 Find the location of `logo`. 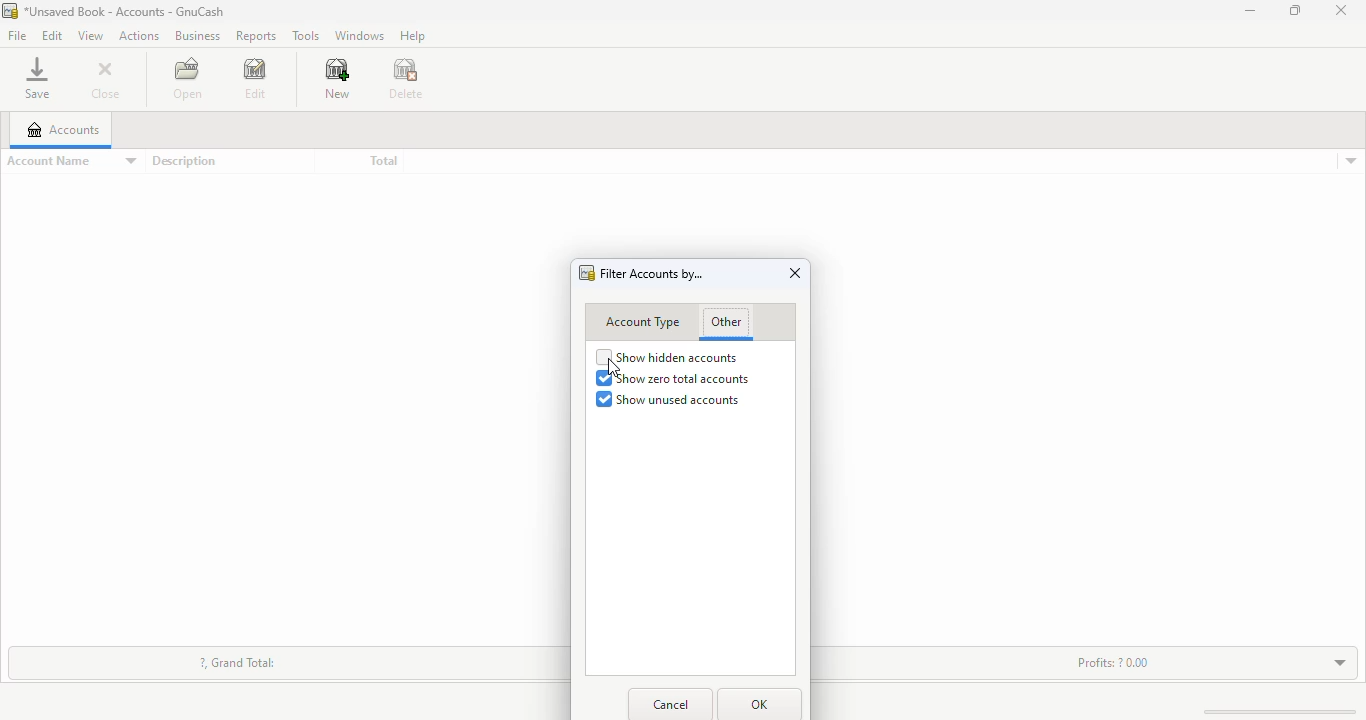

logo is located at coordinates (587, 273).